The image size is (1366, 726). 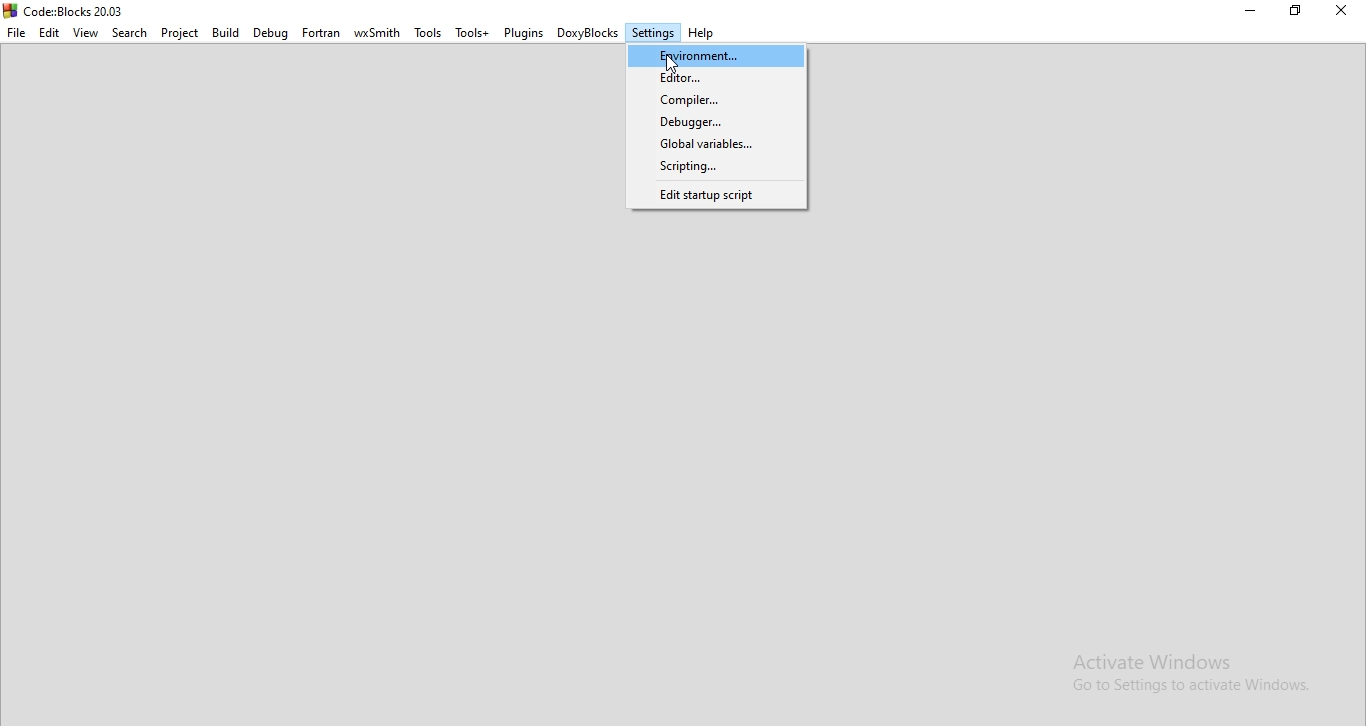 I want to click on Compiler, so click(x=717, y=100).